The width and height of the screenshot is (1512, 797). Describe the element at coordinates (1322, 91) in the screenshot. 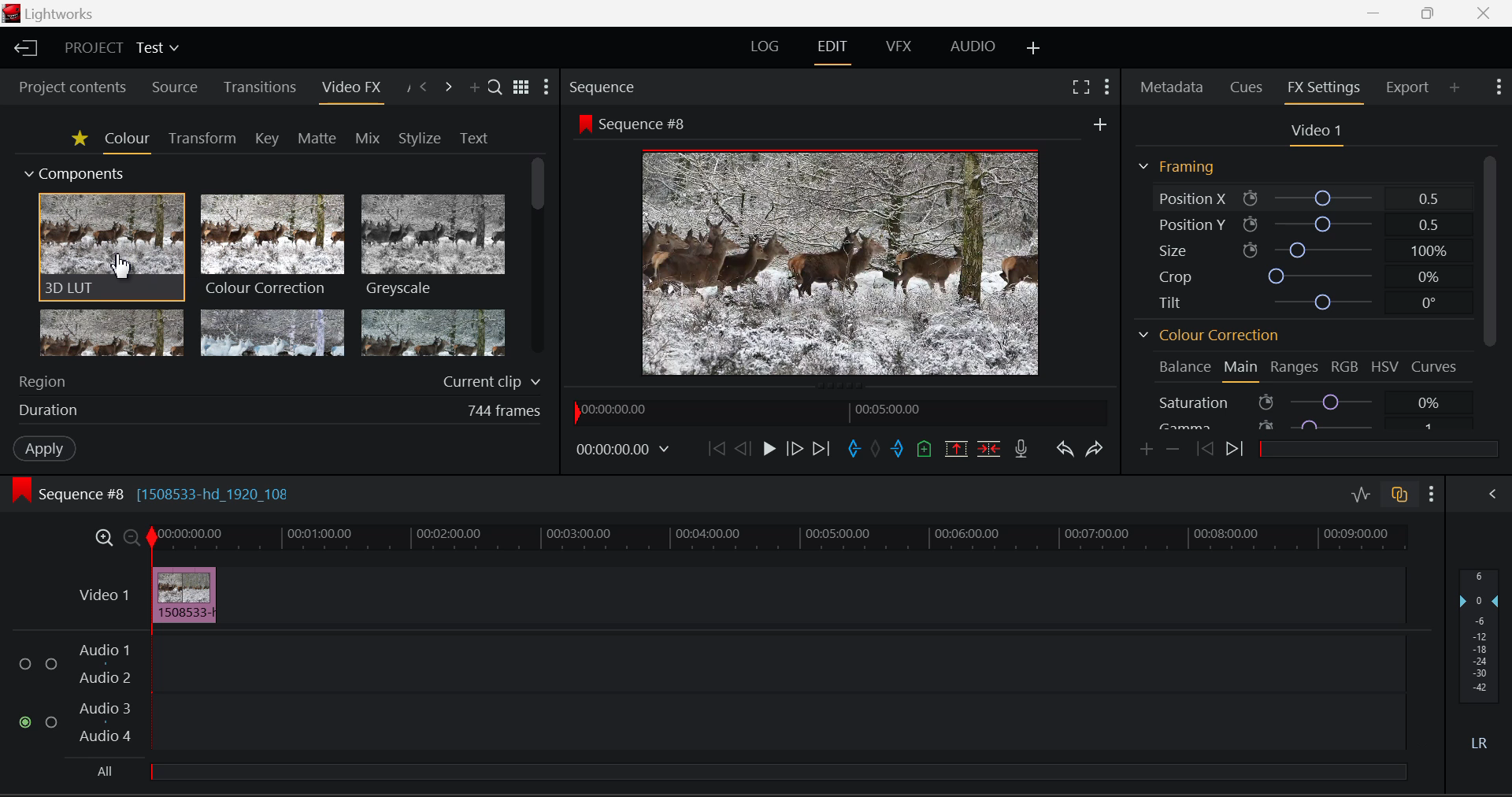

I see `FX Settings` at that location.